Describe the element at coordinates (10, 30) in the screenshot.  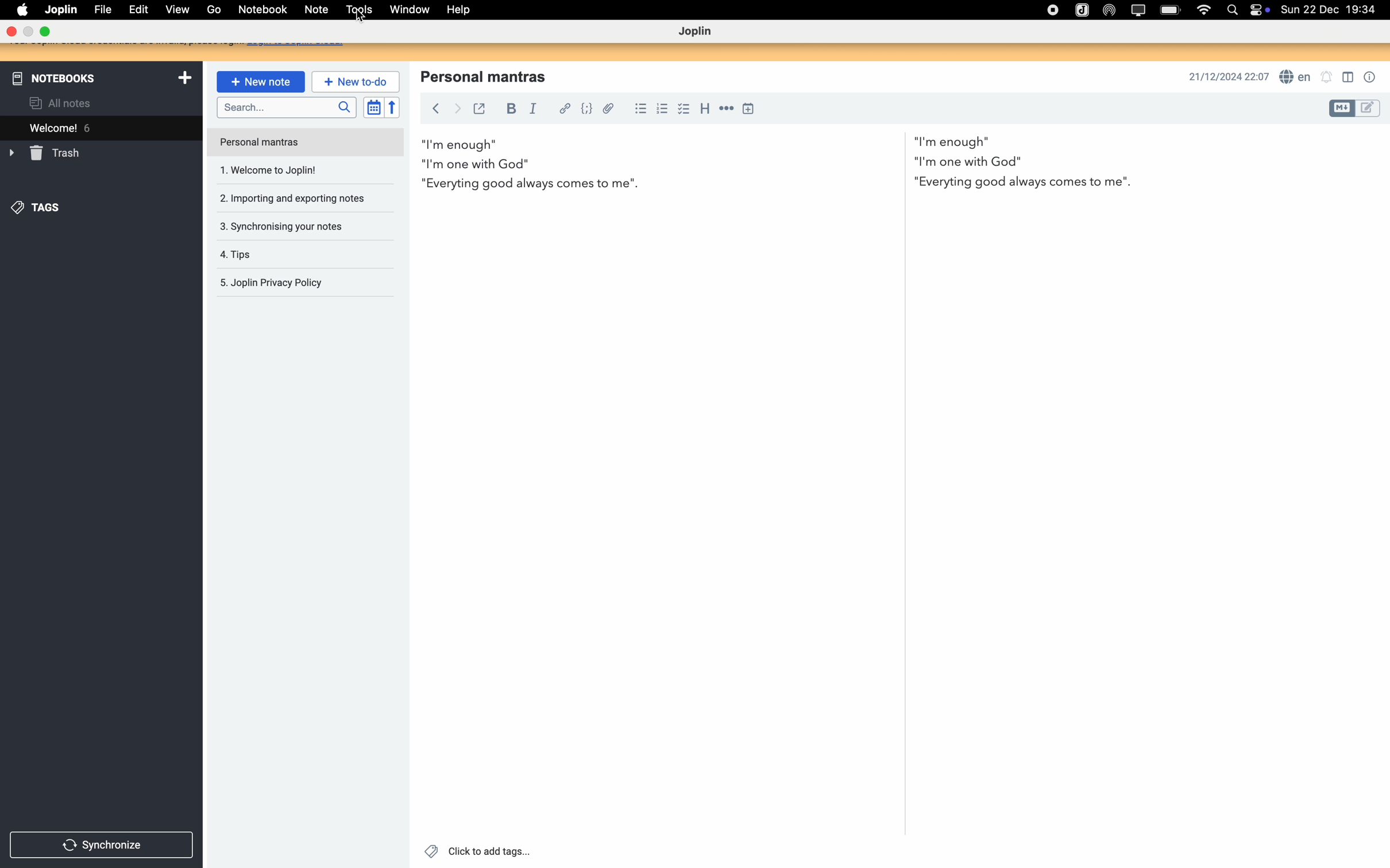
I see `close program` at that location.